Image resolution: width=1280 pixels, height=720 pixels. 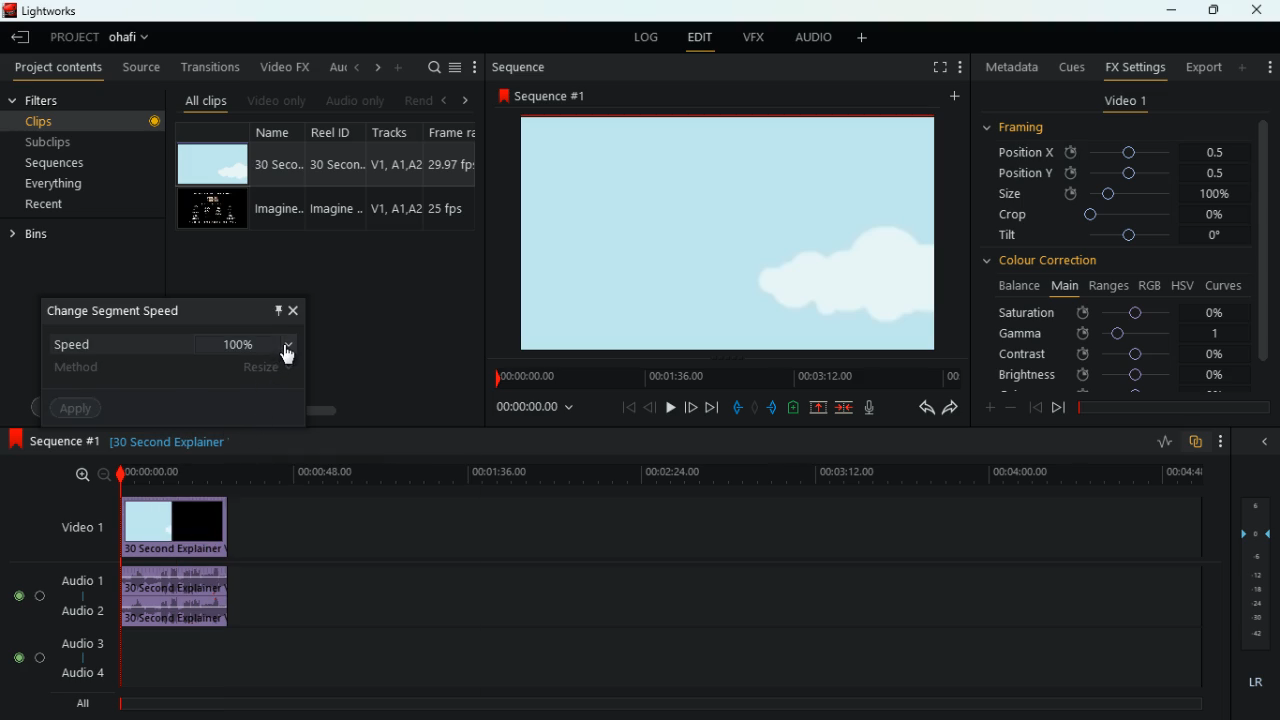 What do you see at coordinates (935, 67) in the screenshot?
I see `screen` at bounding box center [935, 67].